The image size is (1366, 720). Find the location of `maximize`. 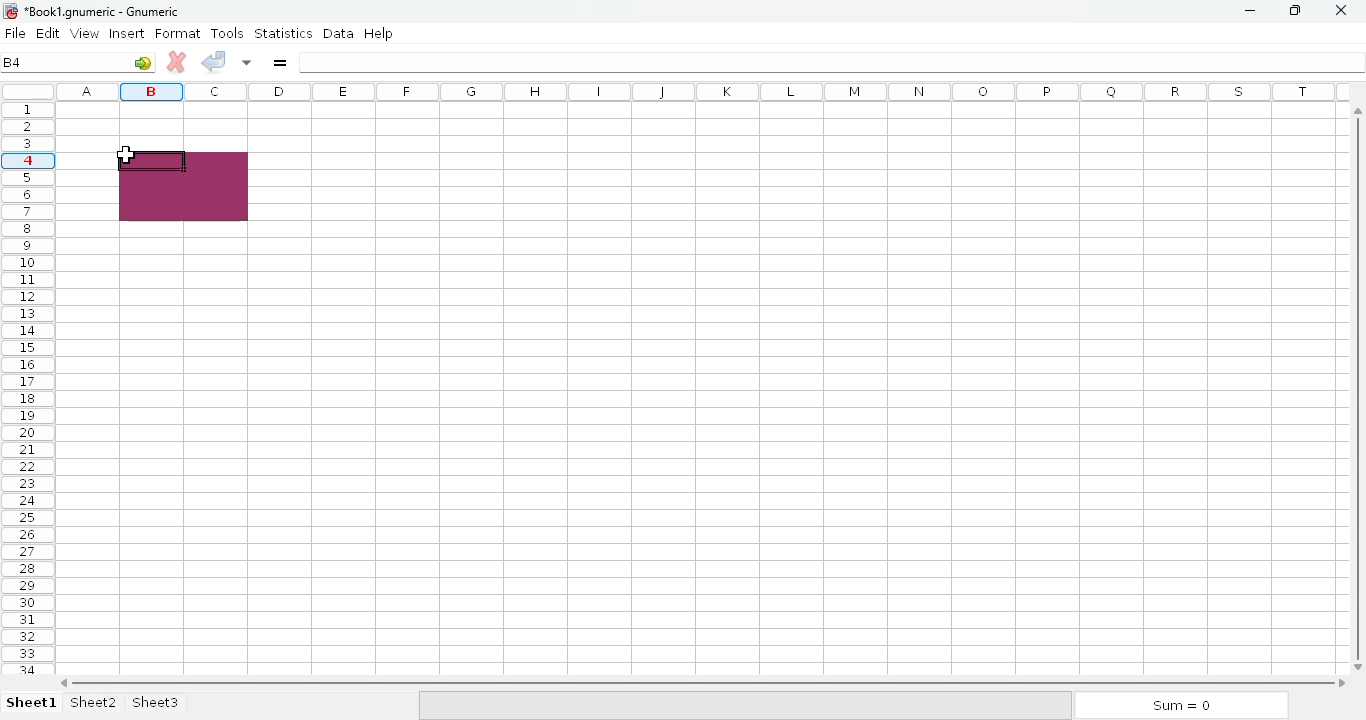

maximize is located at coordinates (1293, 10).